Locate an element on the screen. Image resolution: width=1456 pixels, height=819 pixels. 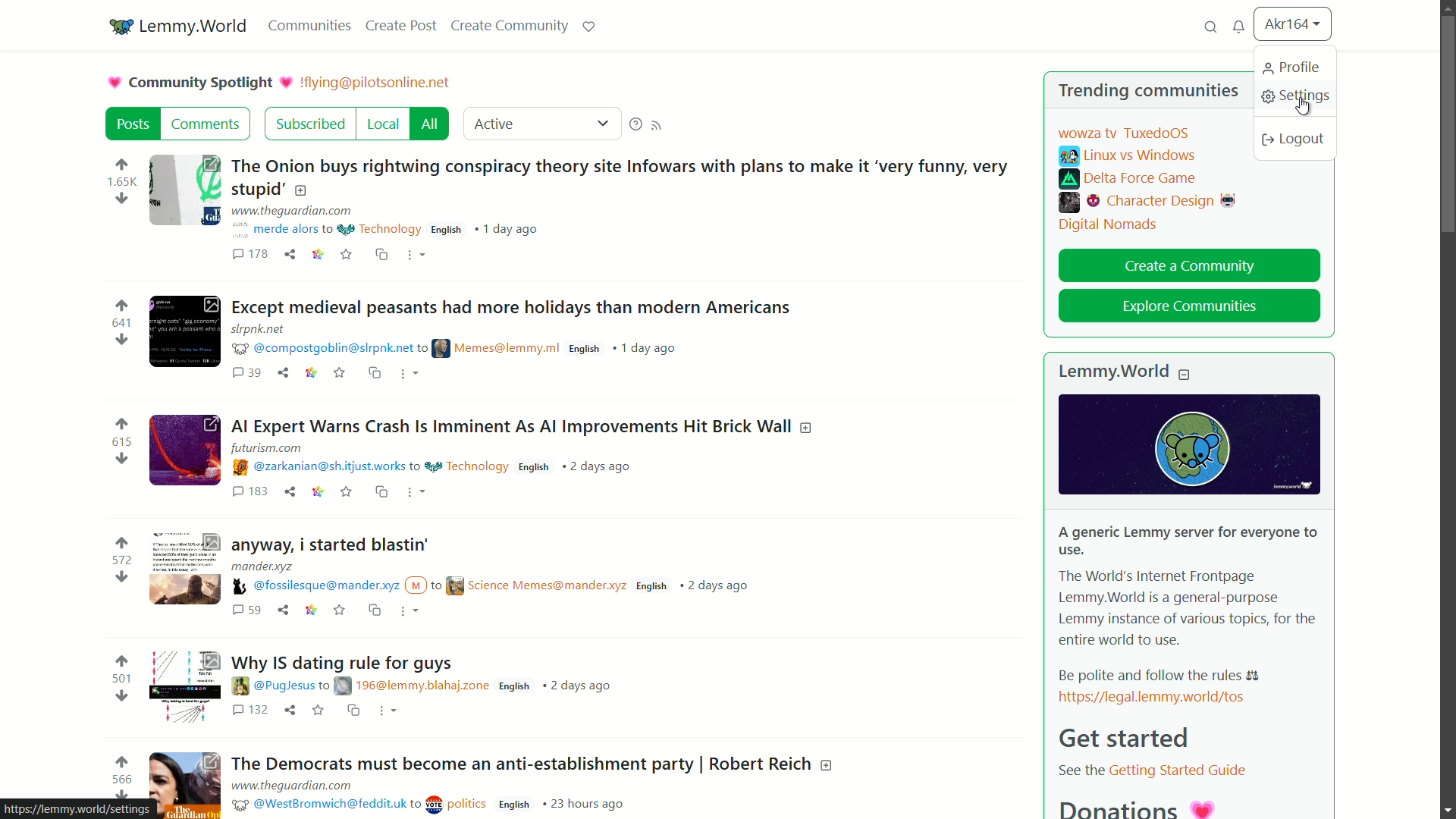
more is located at coordinates (415, 255).